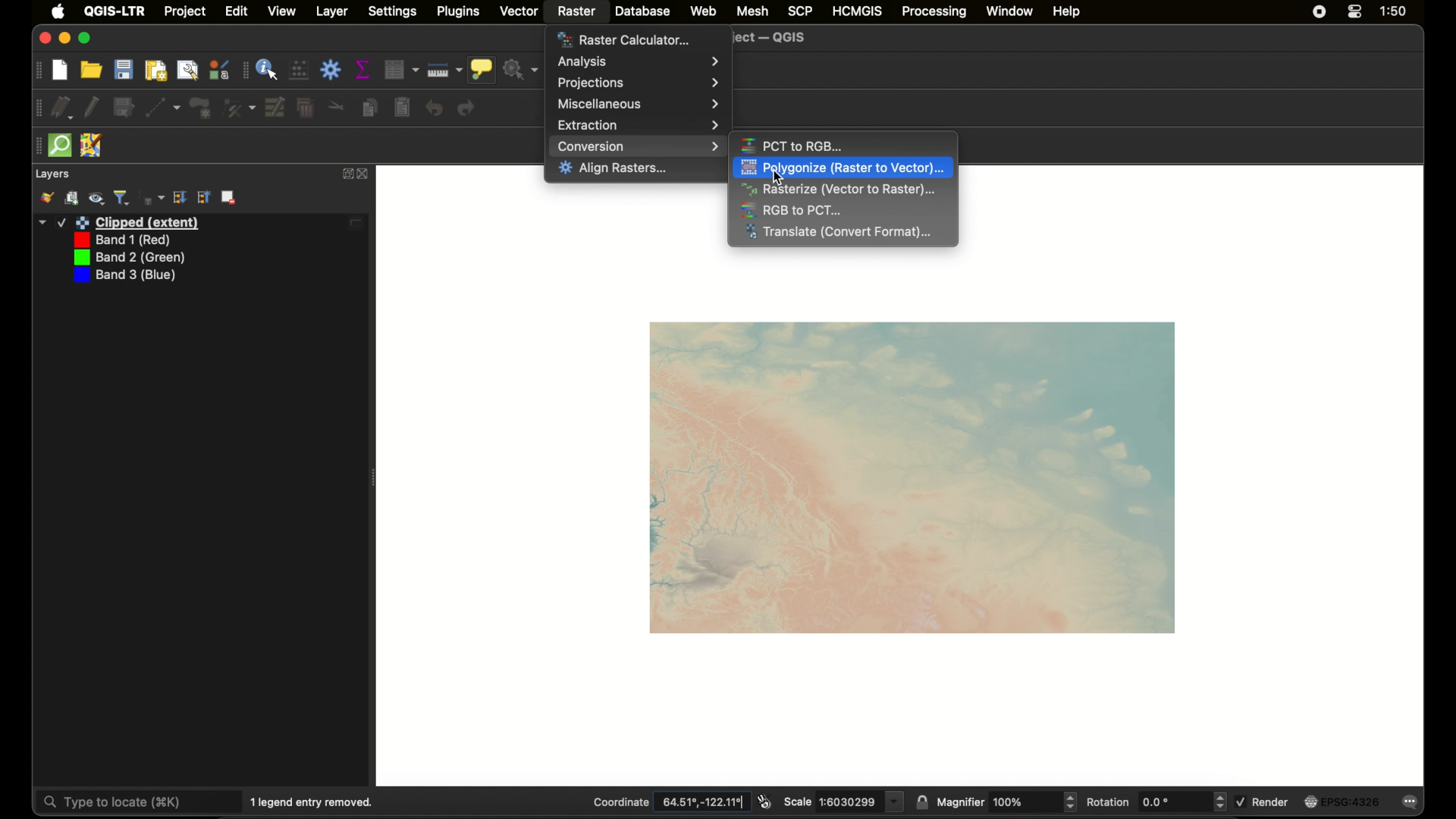 This screenshot has height=819, width=1456. I want to click on projections, so click(638, 83).